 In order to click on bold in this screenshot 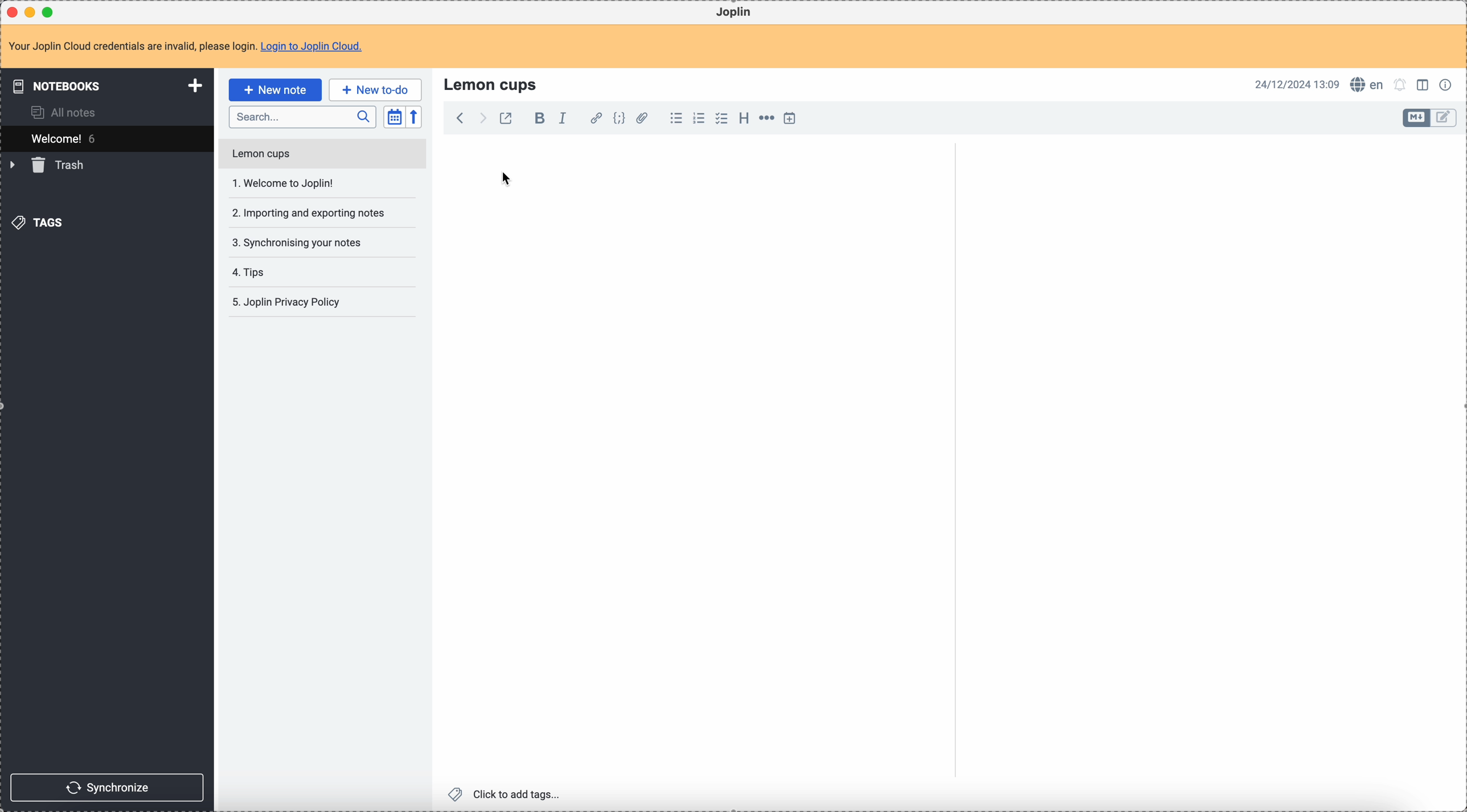, I will do `click(536, 119)`.